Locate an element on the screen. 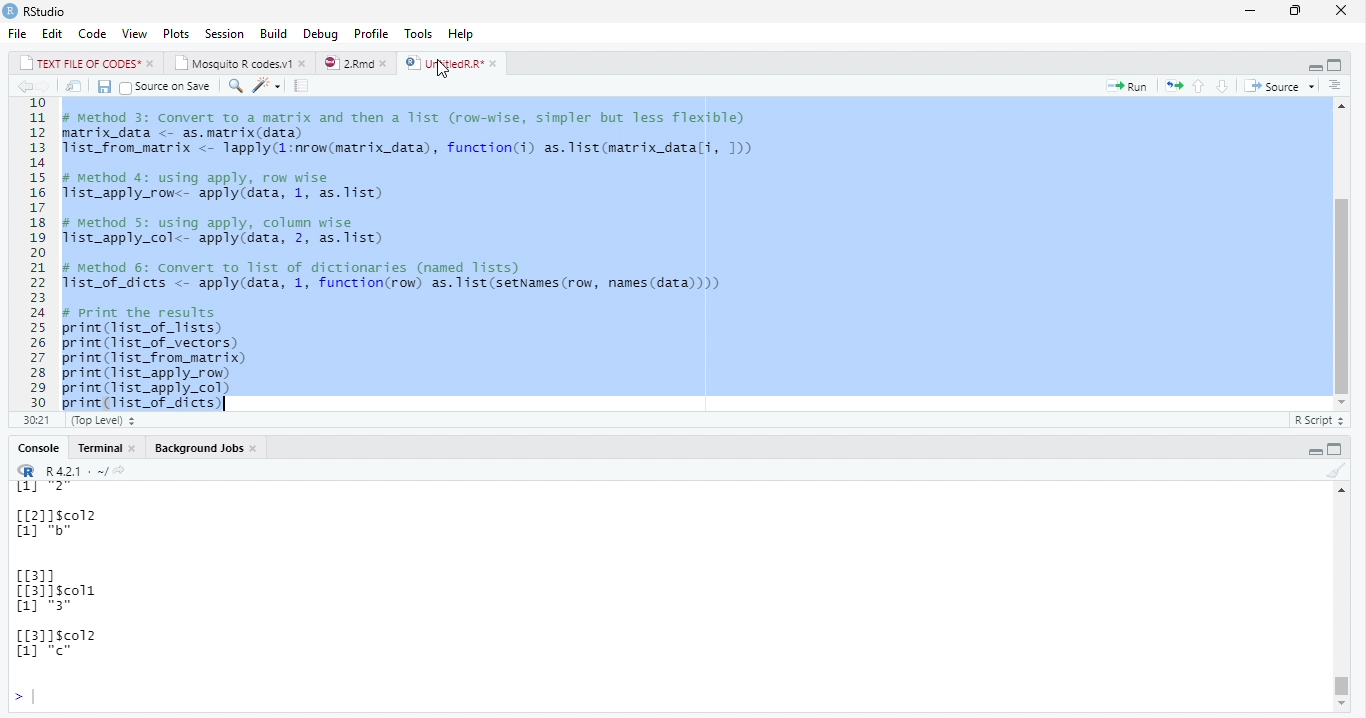  UntitiedR.R* is located at coordinates (454, 63).